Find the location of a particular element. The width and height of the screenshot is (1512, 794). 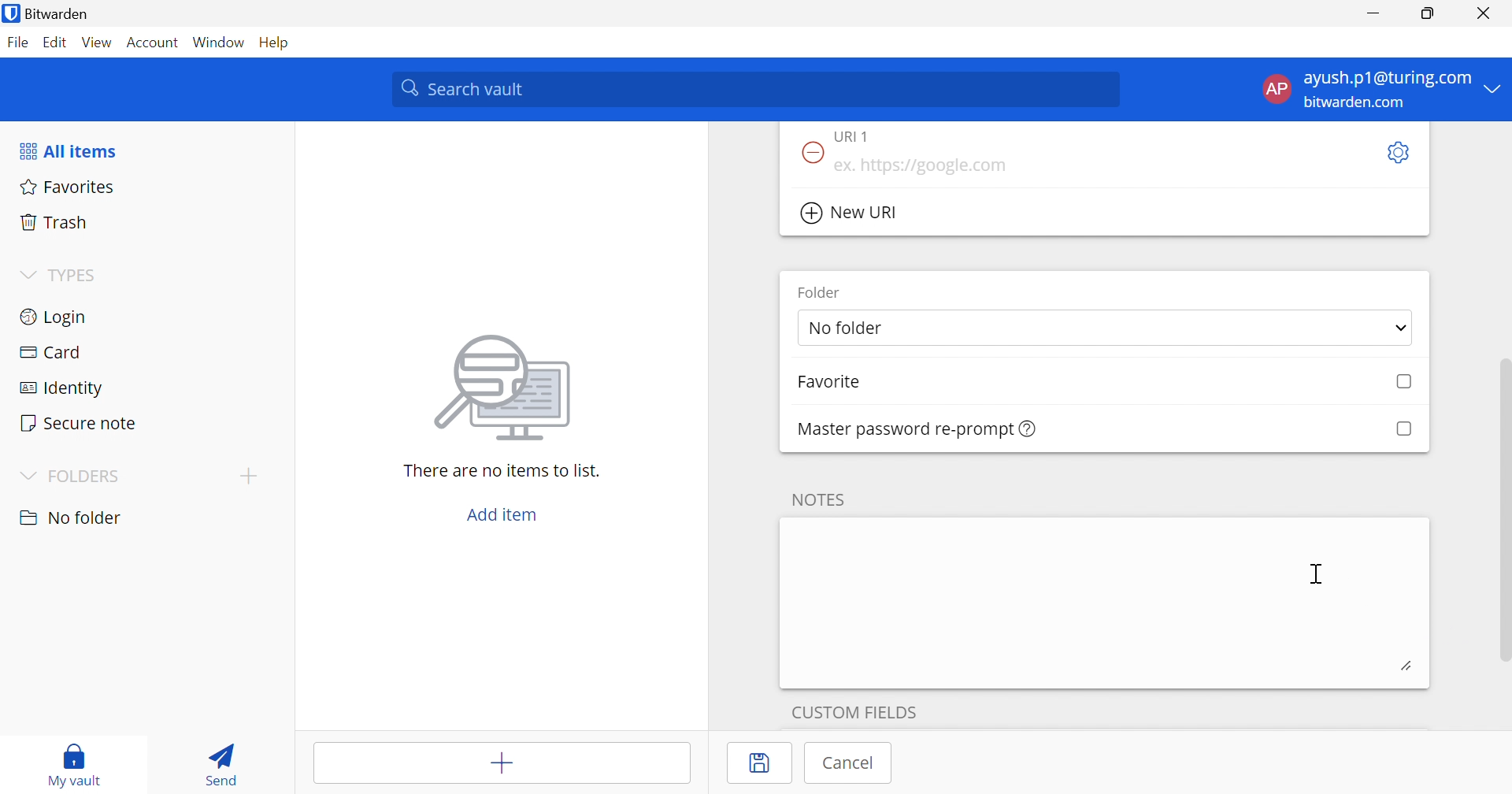

Help is located at coordinates (278, 42).